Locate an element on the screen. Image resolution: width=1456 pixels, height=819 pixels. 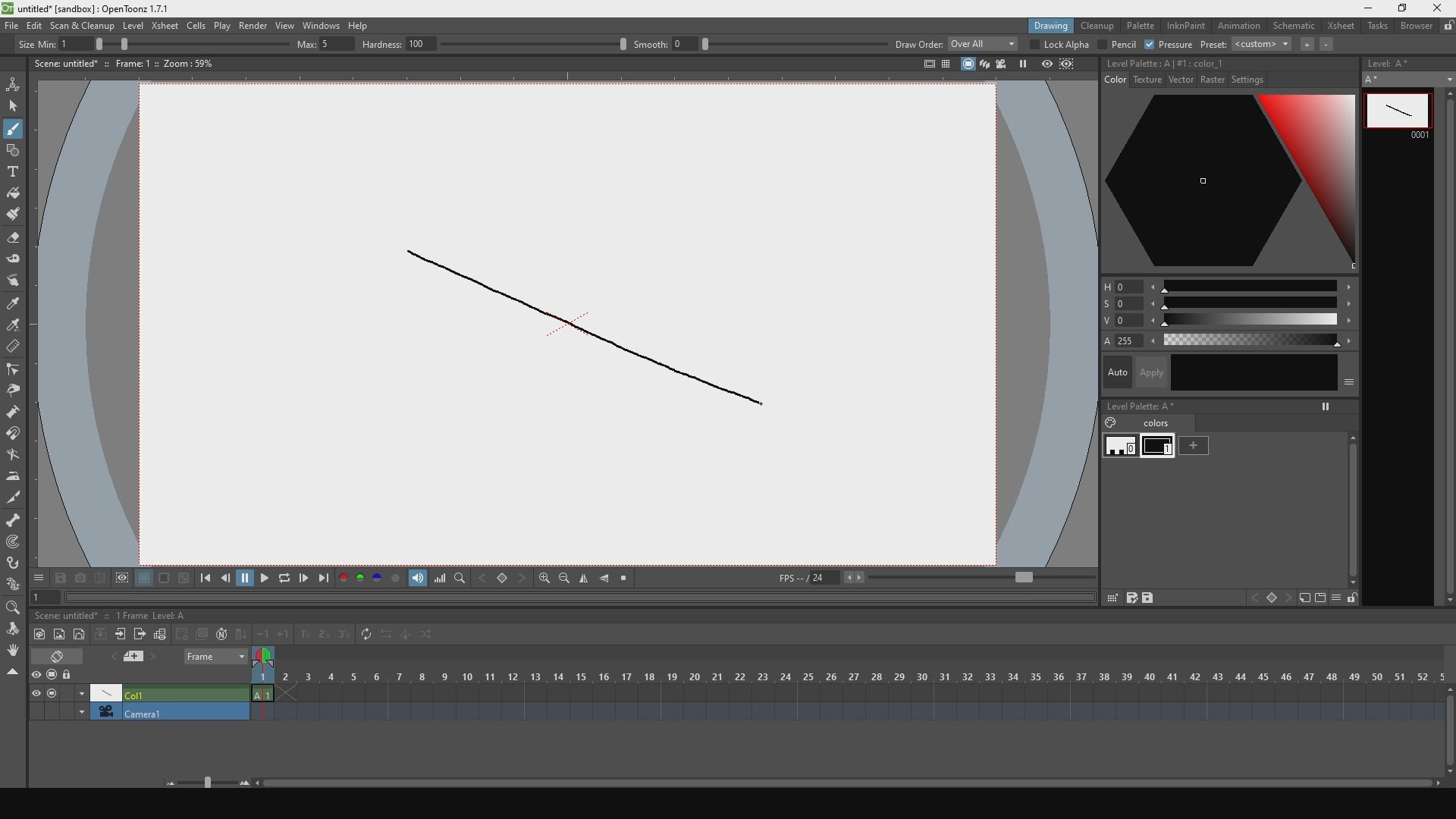
inknpain is located at coordinates (1188, 27).